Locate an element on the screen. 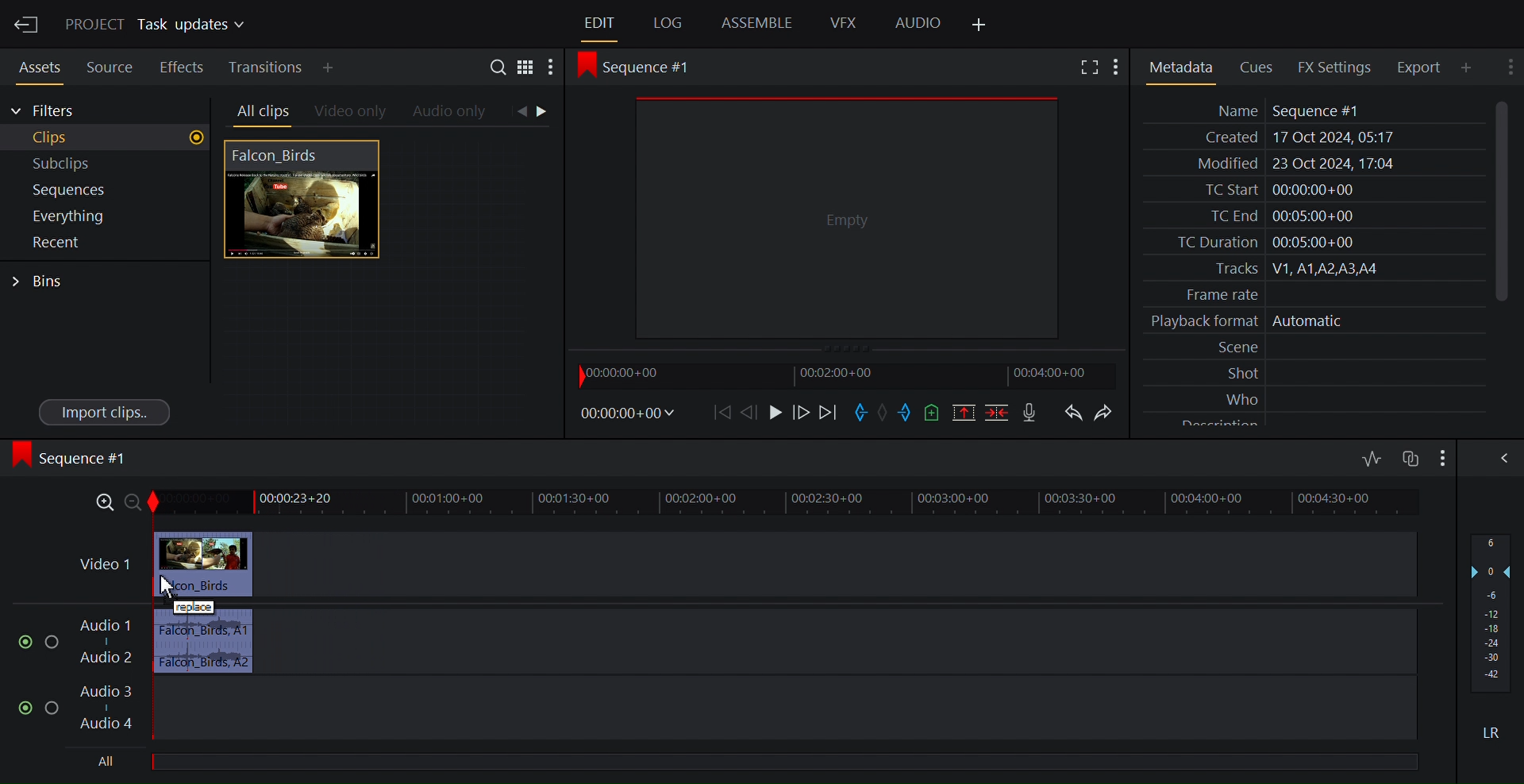 The height and width of the screenshot is (784, 1524). Source is located at coordinates (110, 65).